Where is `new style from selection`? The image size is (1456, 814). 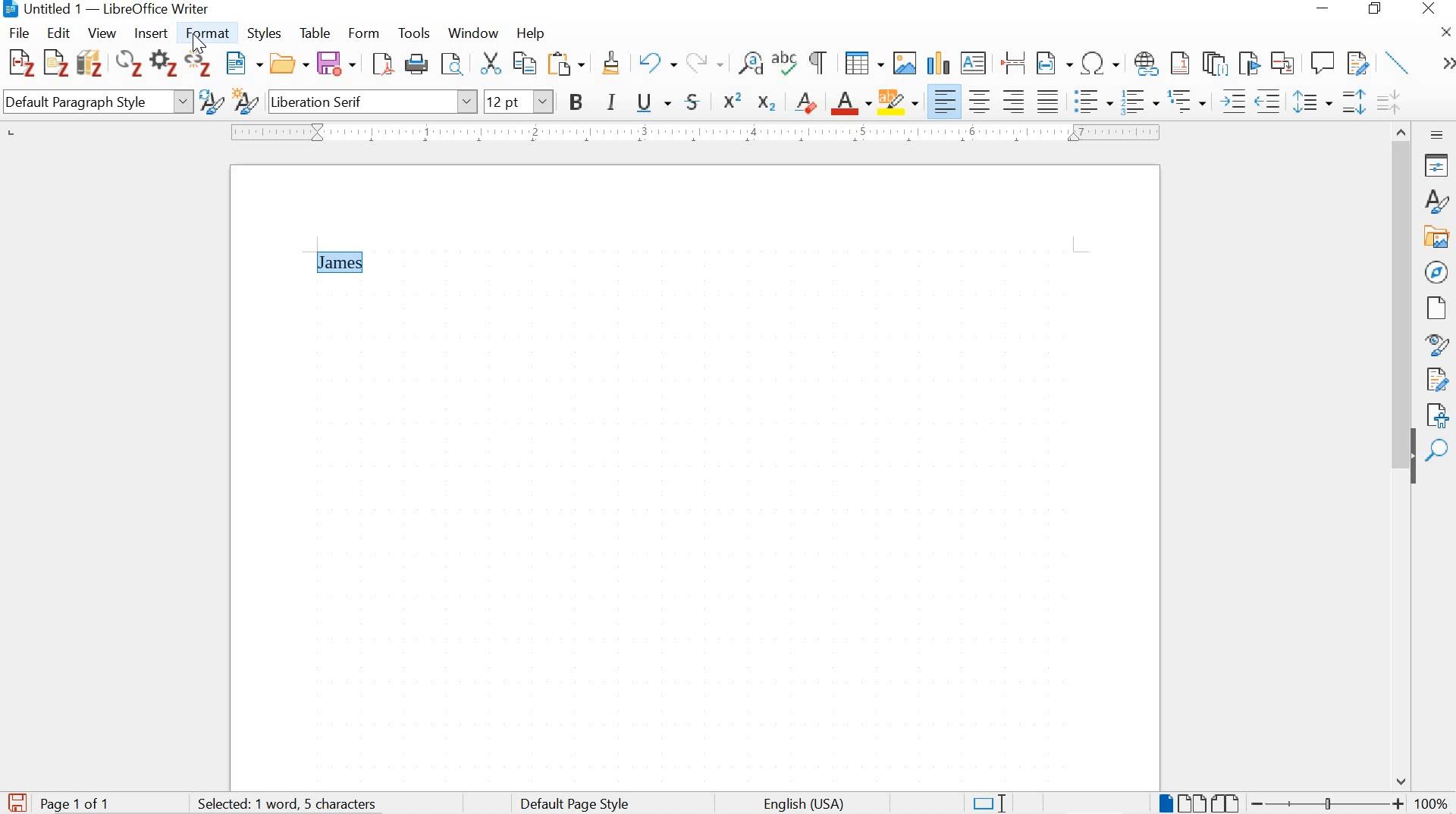 new style from selection is located at coordinates (245, 103).